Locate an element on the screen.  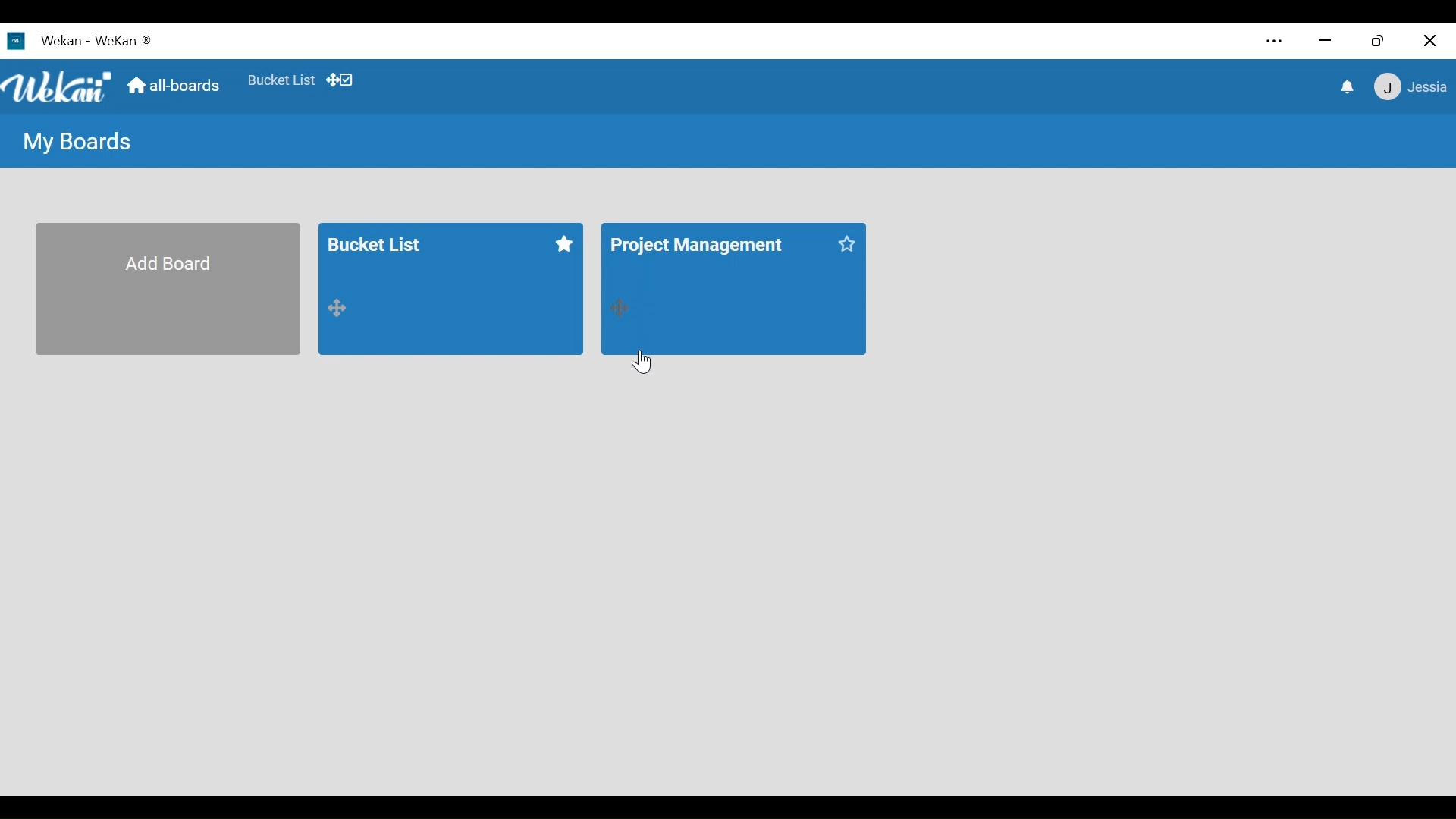
Cursor is located at coordinates (645, 362).